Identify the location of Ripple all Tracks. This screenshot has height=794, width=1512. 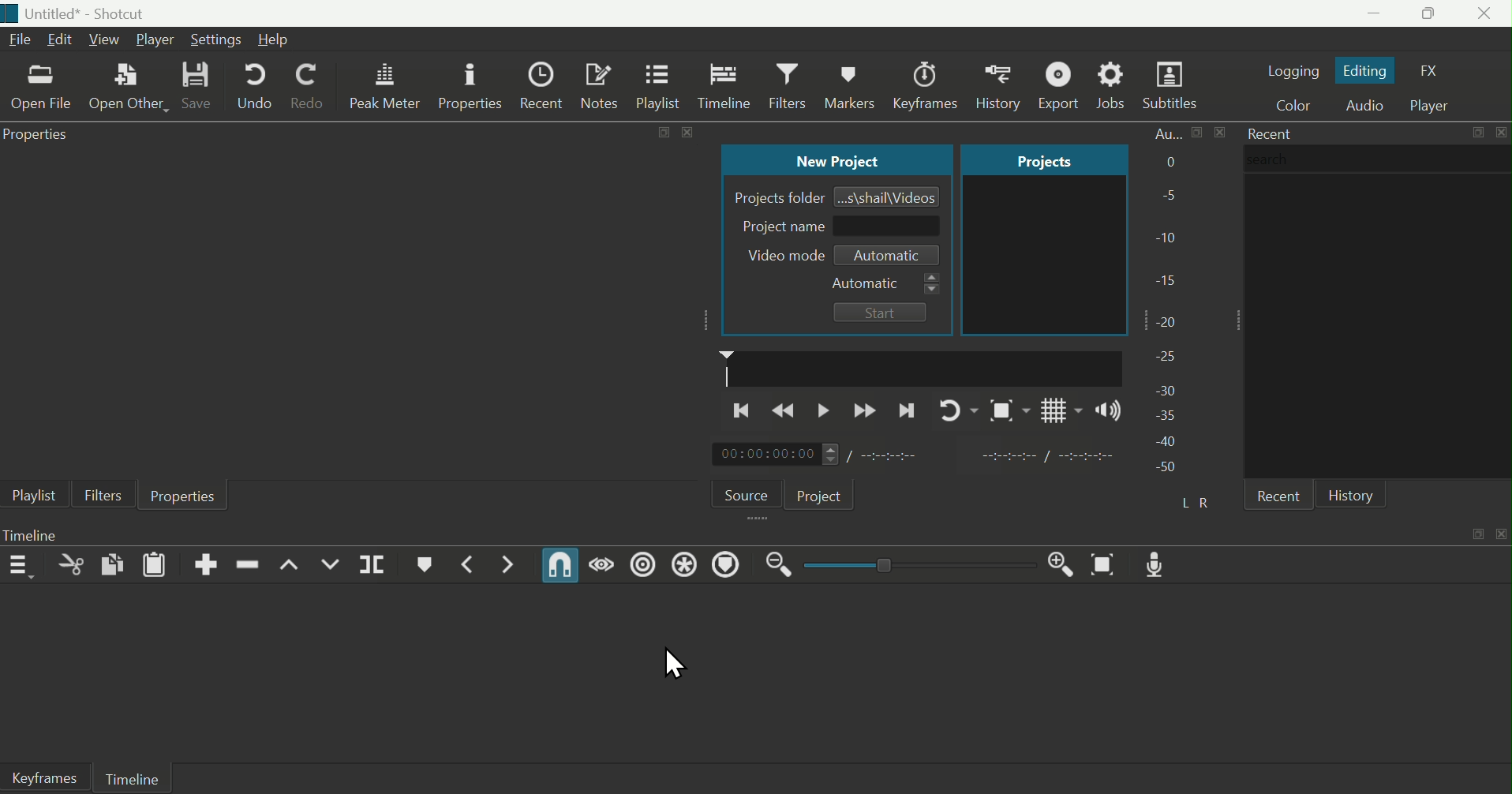
(684, 564).